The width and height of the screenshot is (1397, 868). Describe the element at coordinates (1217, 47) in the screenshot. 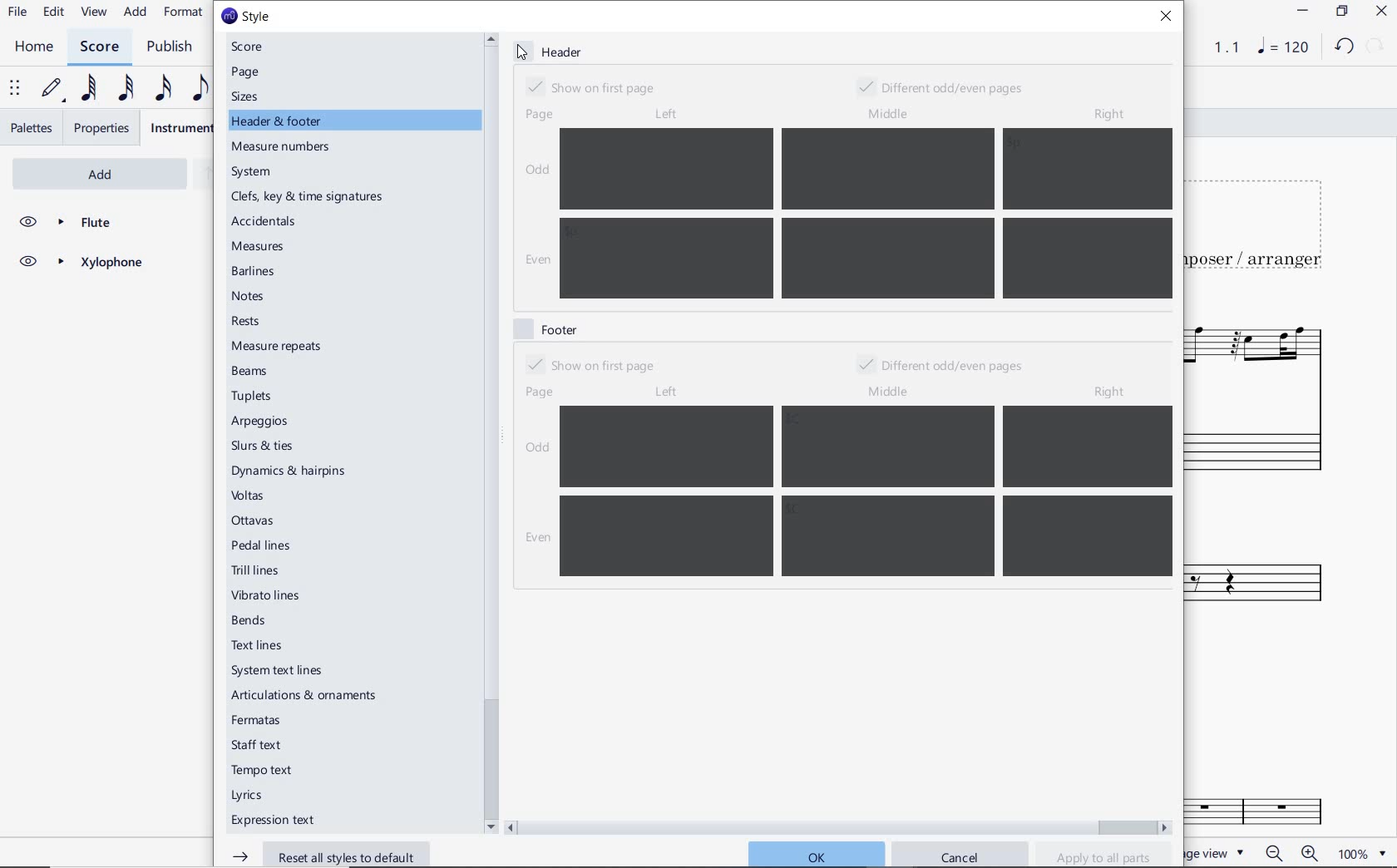

I see `PLAY TIME` at that location.